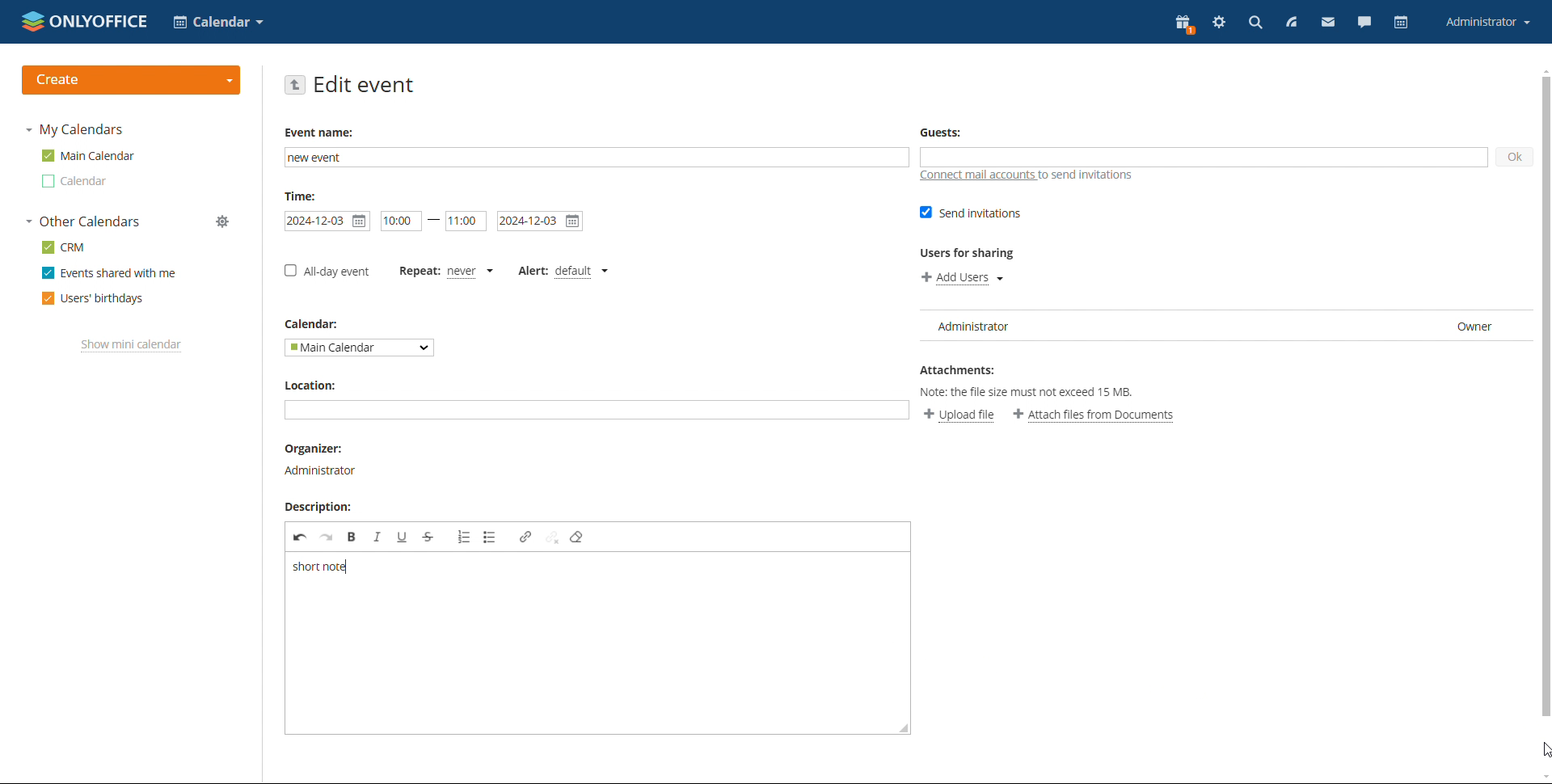  What do you see at coordinates (222, 221) in the screenshot?
I see `manage` at bounding box center [222, 221].